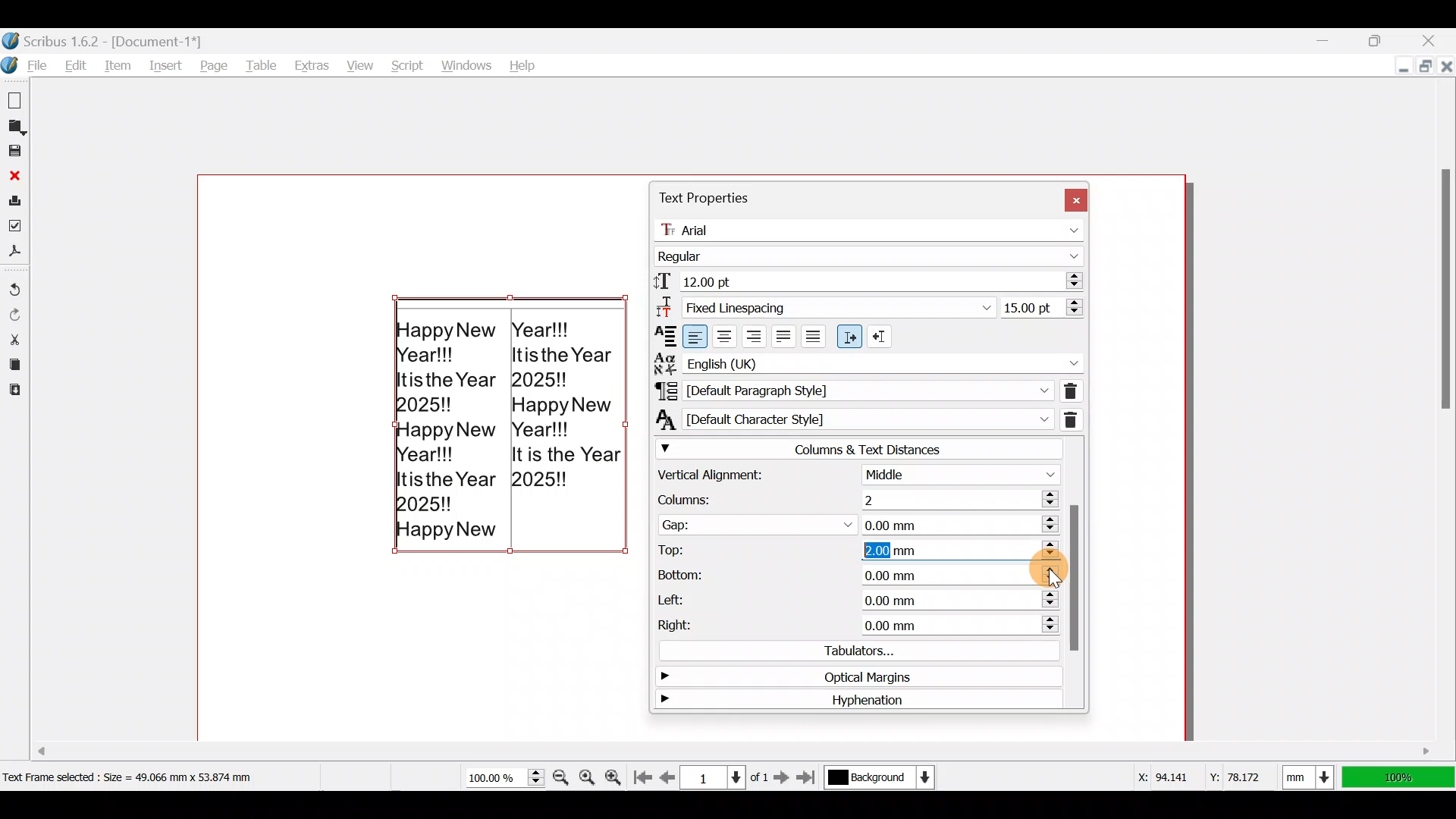  I want to click on Extras, so click(312, 65).